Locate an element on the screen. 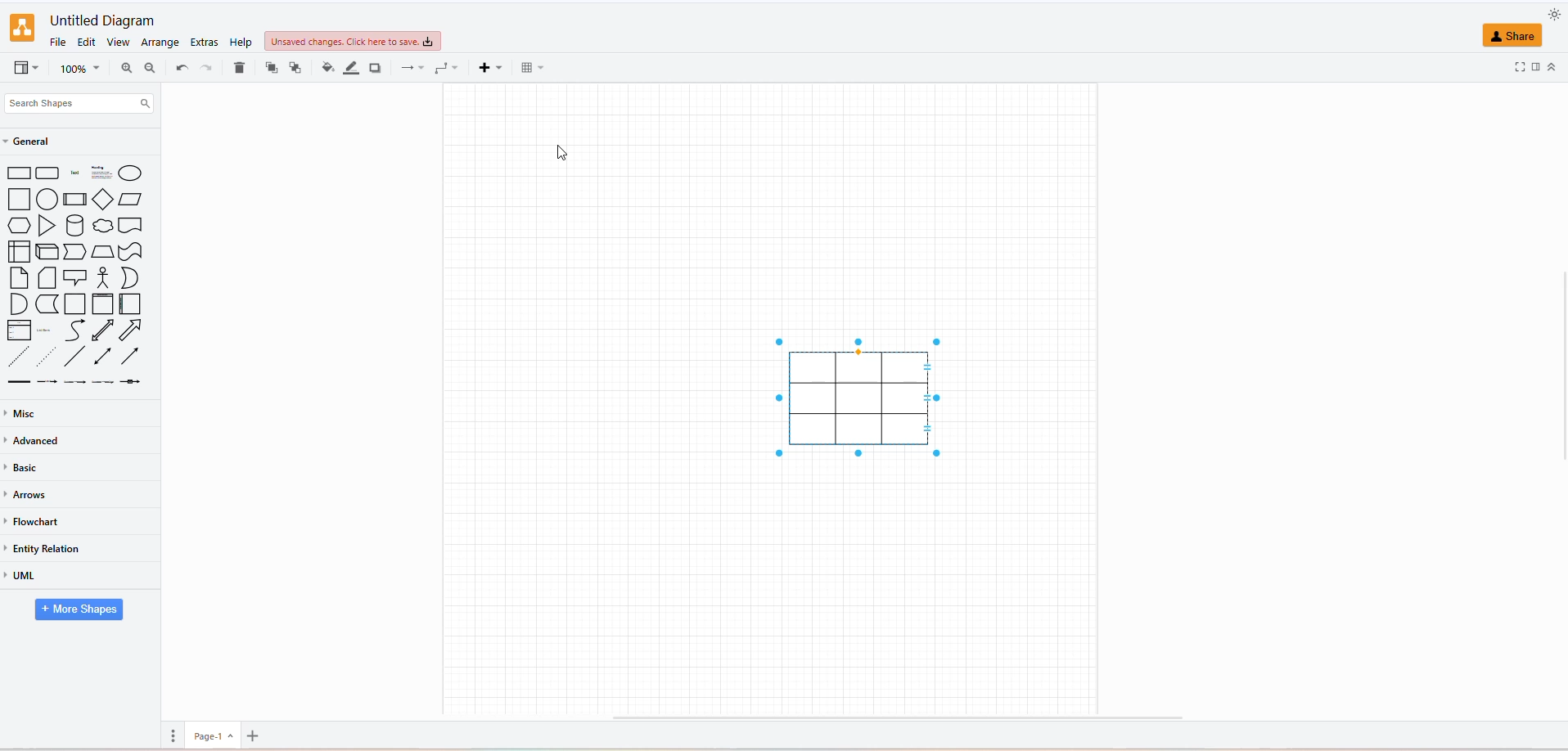 This screenshot has height=751, width=1568. pages is located at coordinates (171, 736).